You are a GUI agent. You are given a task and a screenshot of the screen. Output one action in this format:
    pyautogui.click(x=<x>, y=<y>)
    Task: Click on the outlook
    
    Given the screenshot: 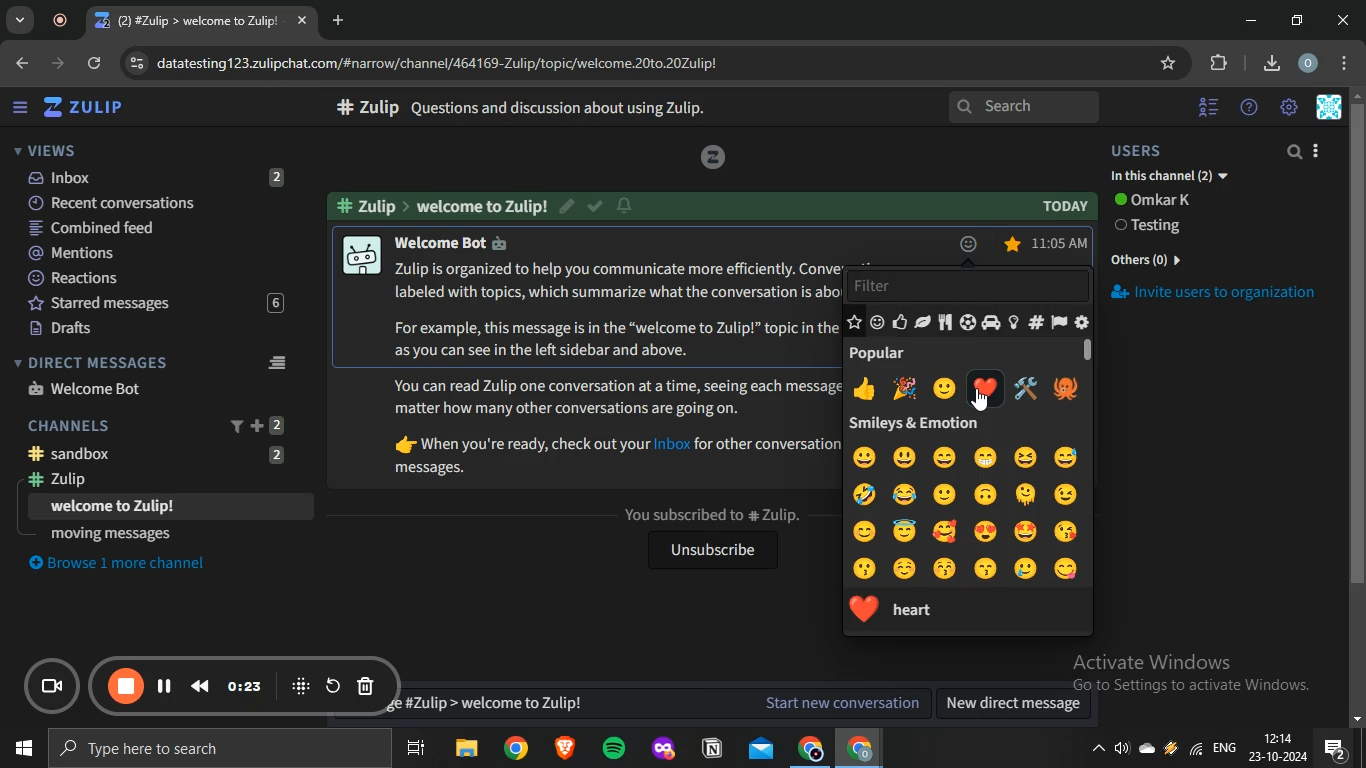 What is the action you would take?
    pyautogui.click(x=762, y=748)
    